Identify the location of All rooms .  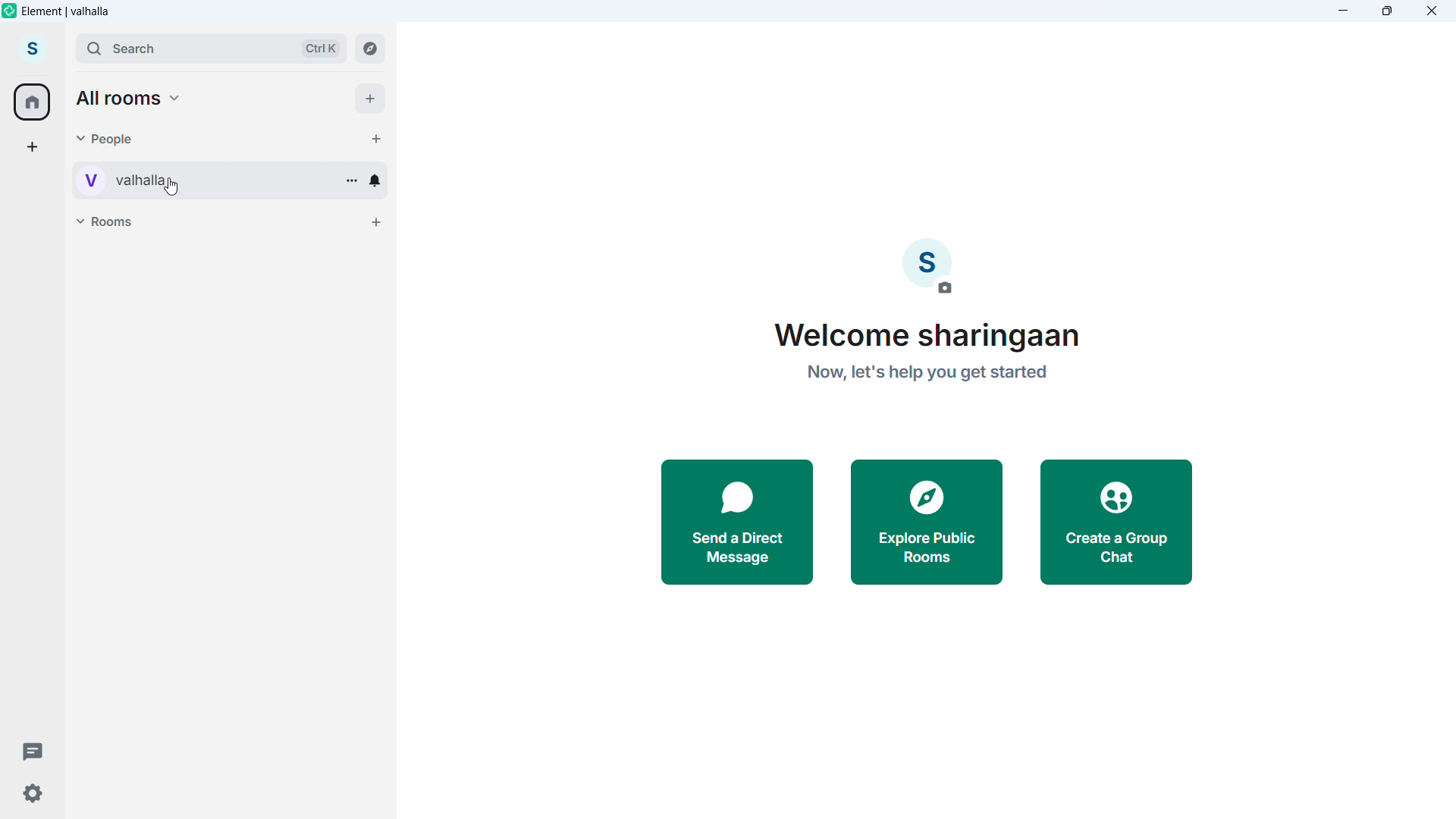
(130, 99).